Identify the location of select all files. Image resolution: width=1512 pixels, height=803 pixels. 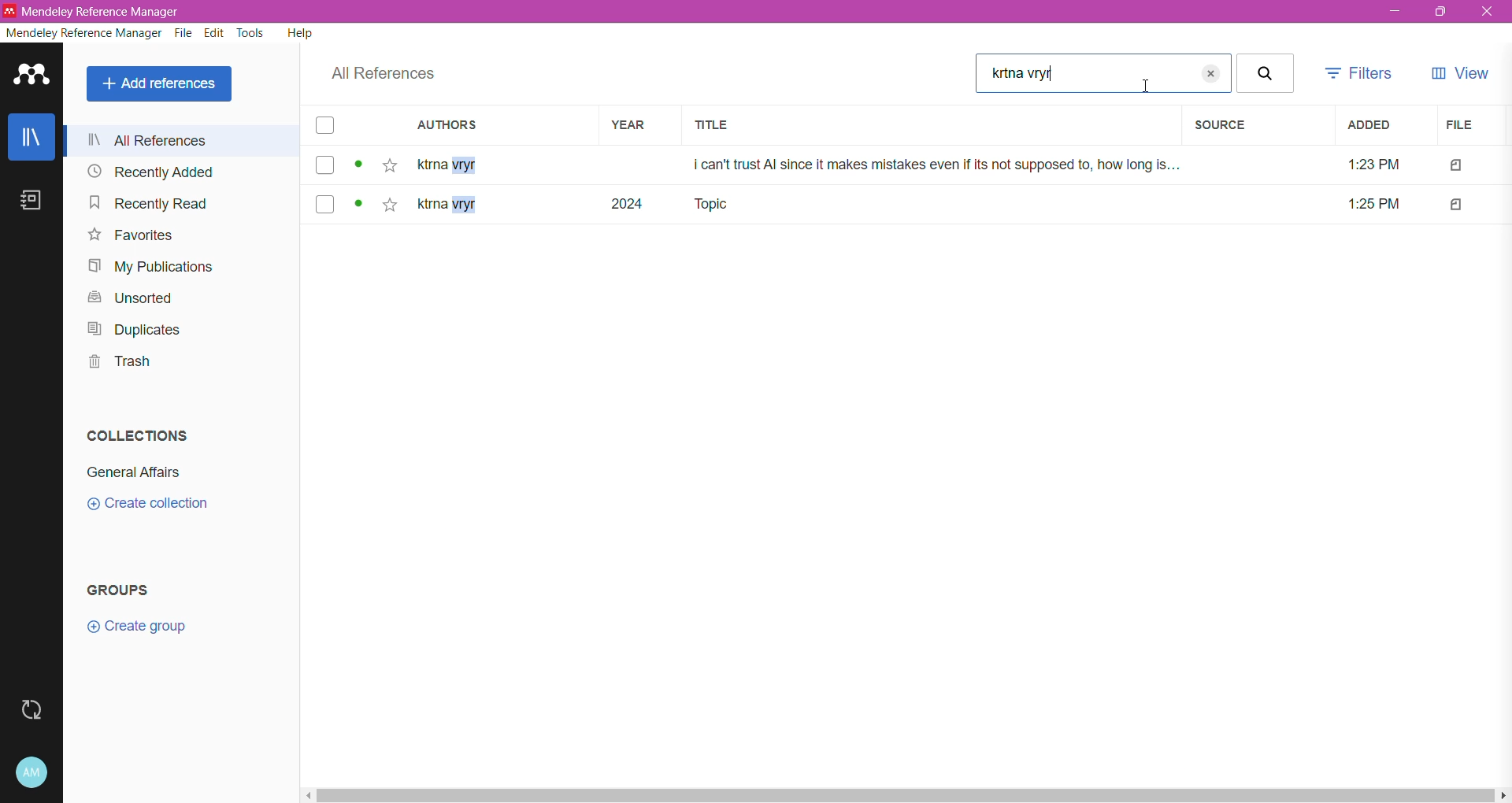
(327, 127).